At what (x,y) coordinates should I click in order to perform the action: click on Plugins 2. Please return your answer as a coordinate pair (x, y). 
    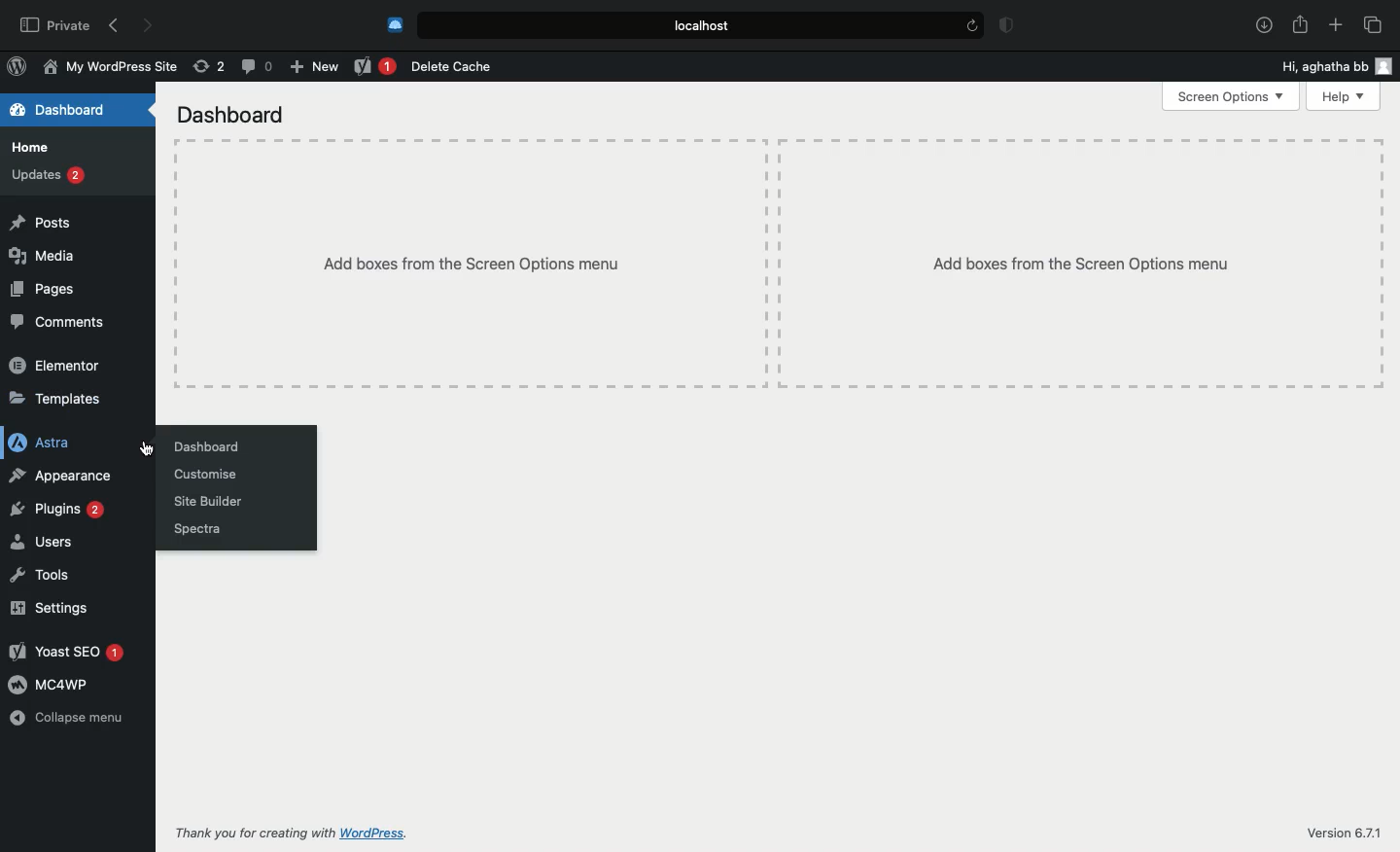
    Looking at the image, I should click on (59, 510).